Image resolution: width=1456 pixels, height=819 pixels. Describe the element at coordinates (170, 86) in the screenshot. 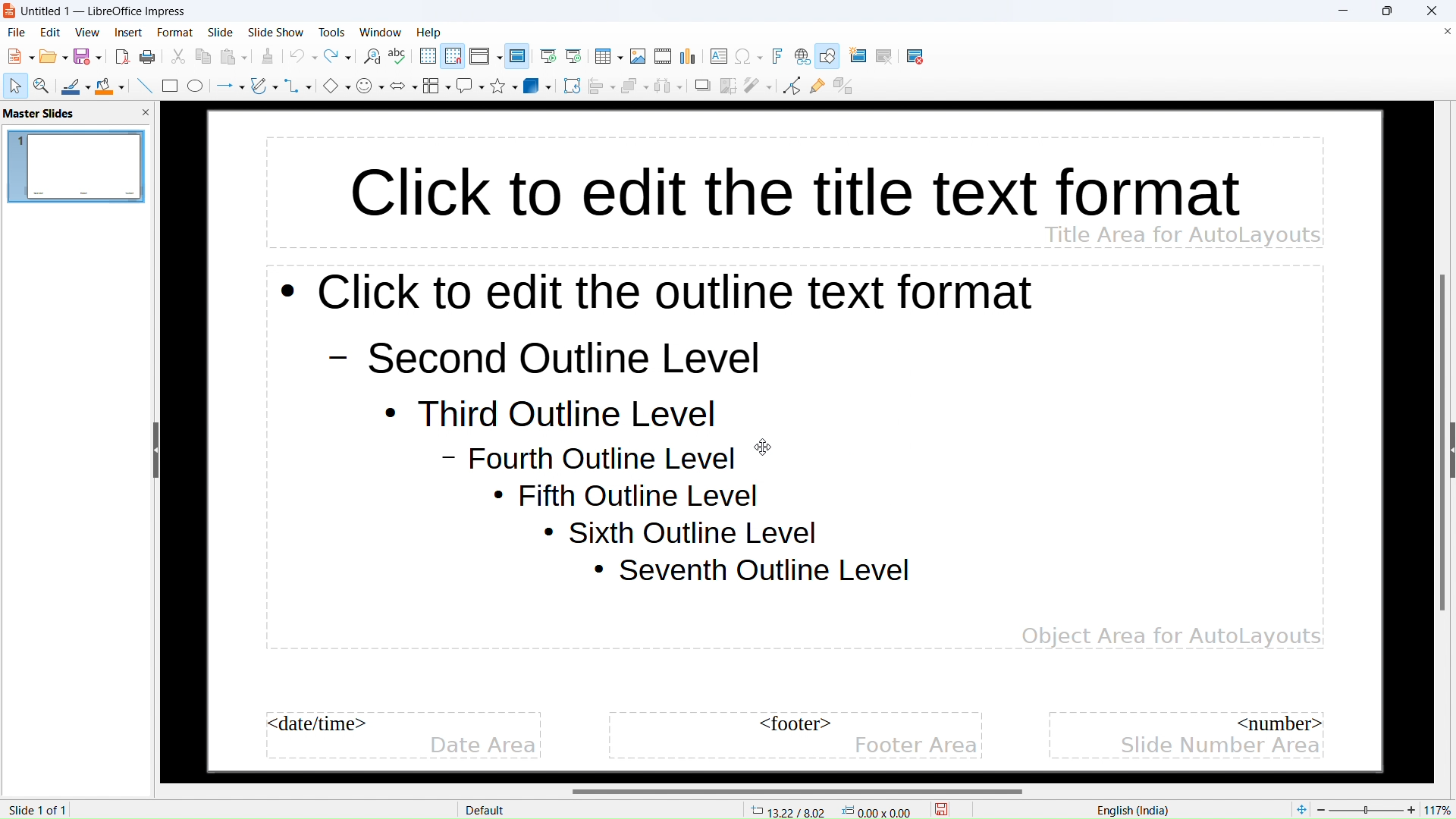

I see `rectangle` at that location.